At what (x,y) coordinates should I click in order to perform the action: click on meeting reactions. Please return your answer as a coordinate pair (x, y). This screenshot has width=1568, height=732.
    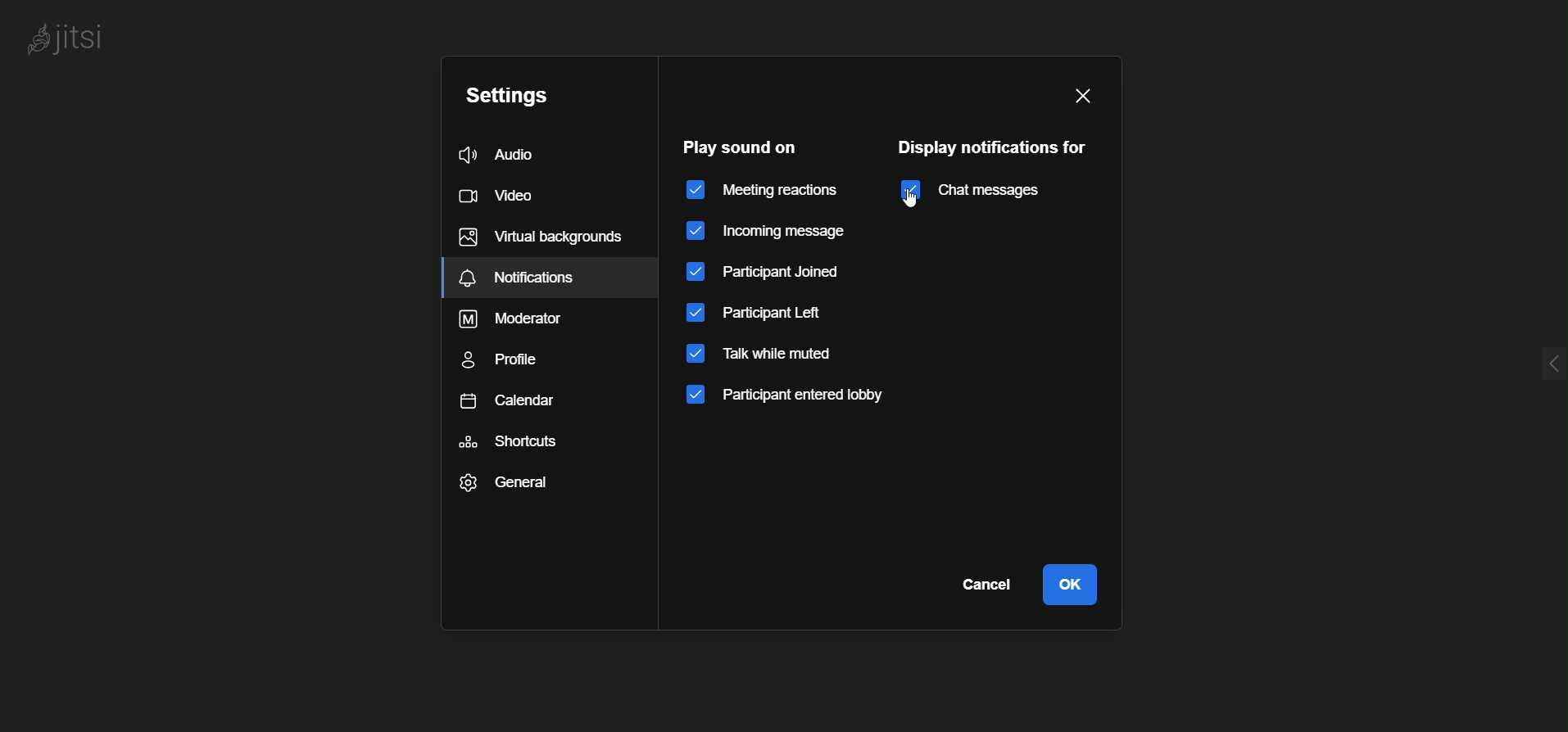
    Looking at the image, I should click on (764, 192).